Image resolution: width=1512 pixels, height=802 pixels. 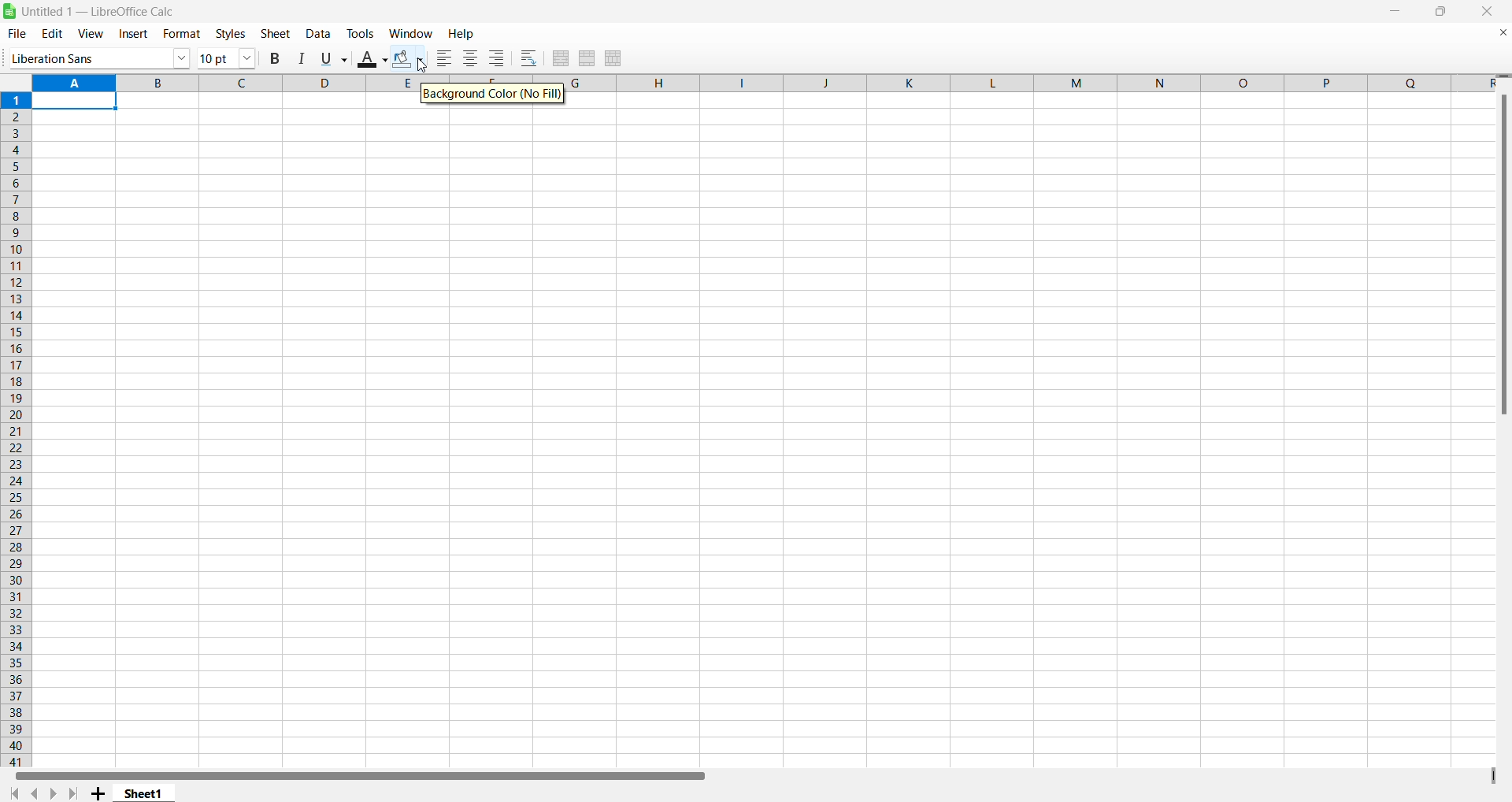 I want to click on file, so click(x=20, y=33).